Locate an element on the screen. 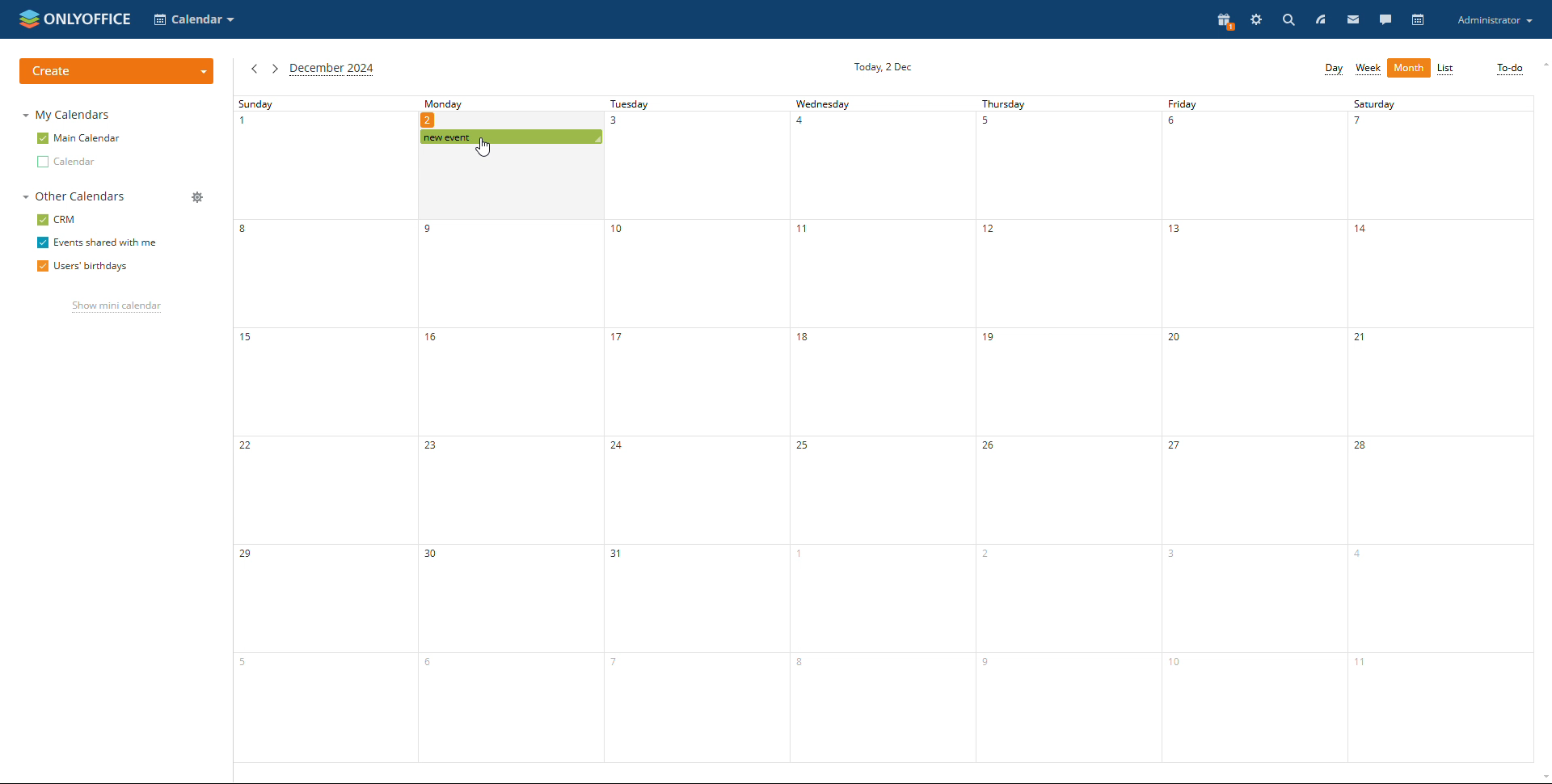  chat is located at coordinates (1385, 19).